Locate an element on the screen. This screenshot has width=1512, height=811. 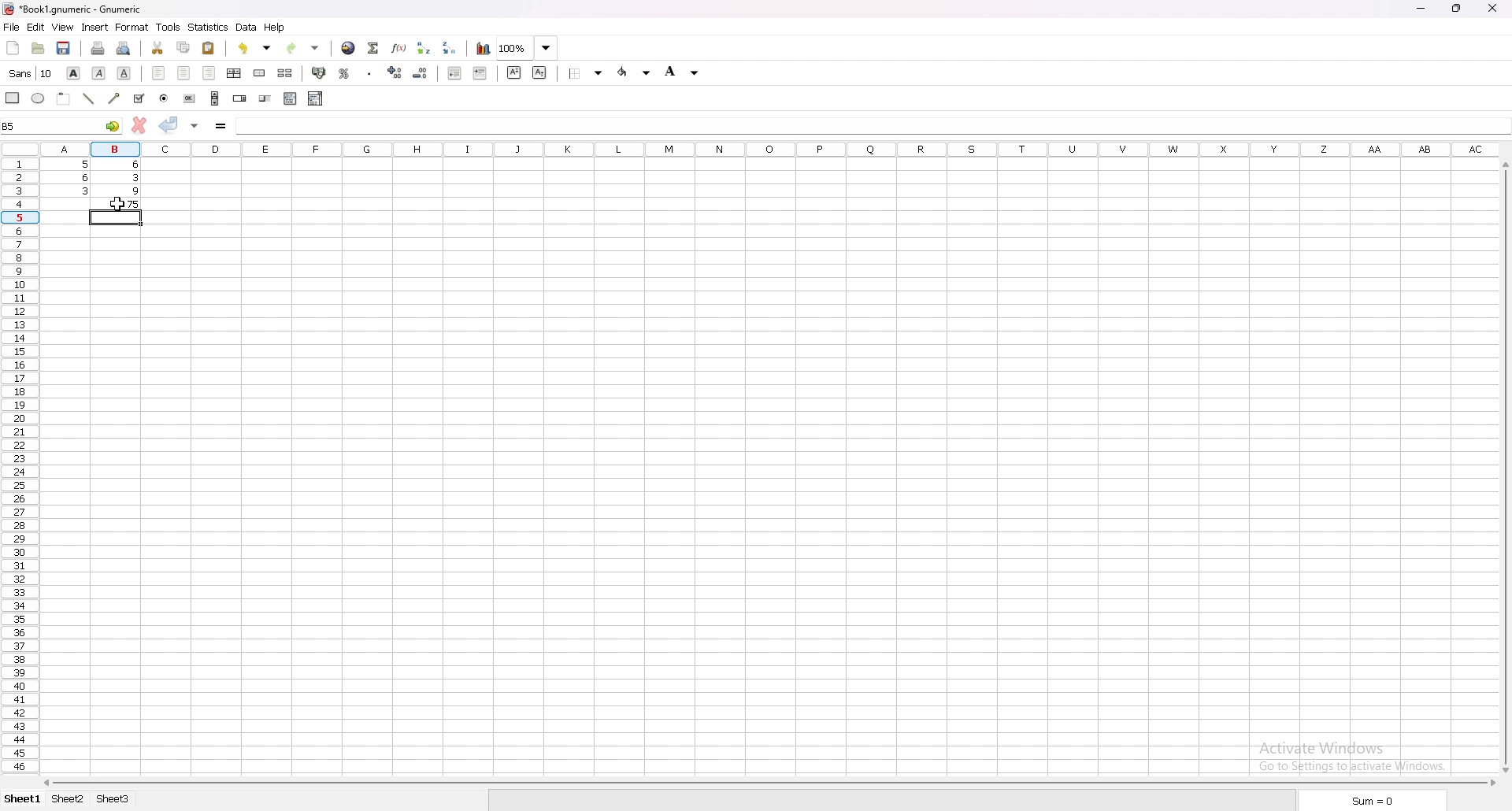
ellipse is located at coordinates (38, 98).